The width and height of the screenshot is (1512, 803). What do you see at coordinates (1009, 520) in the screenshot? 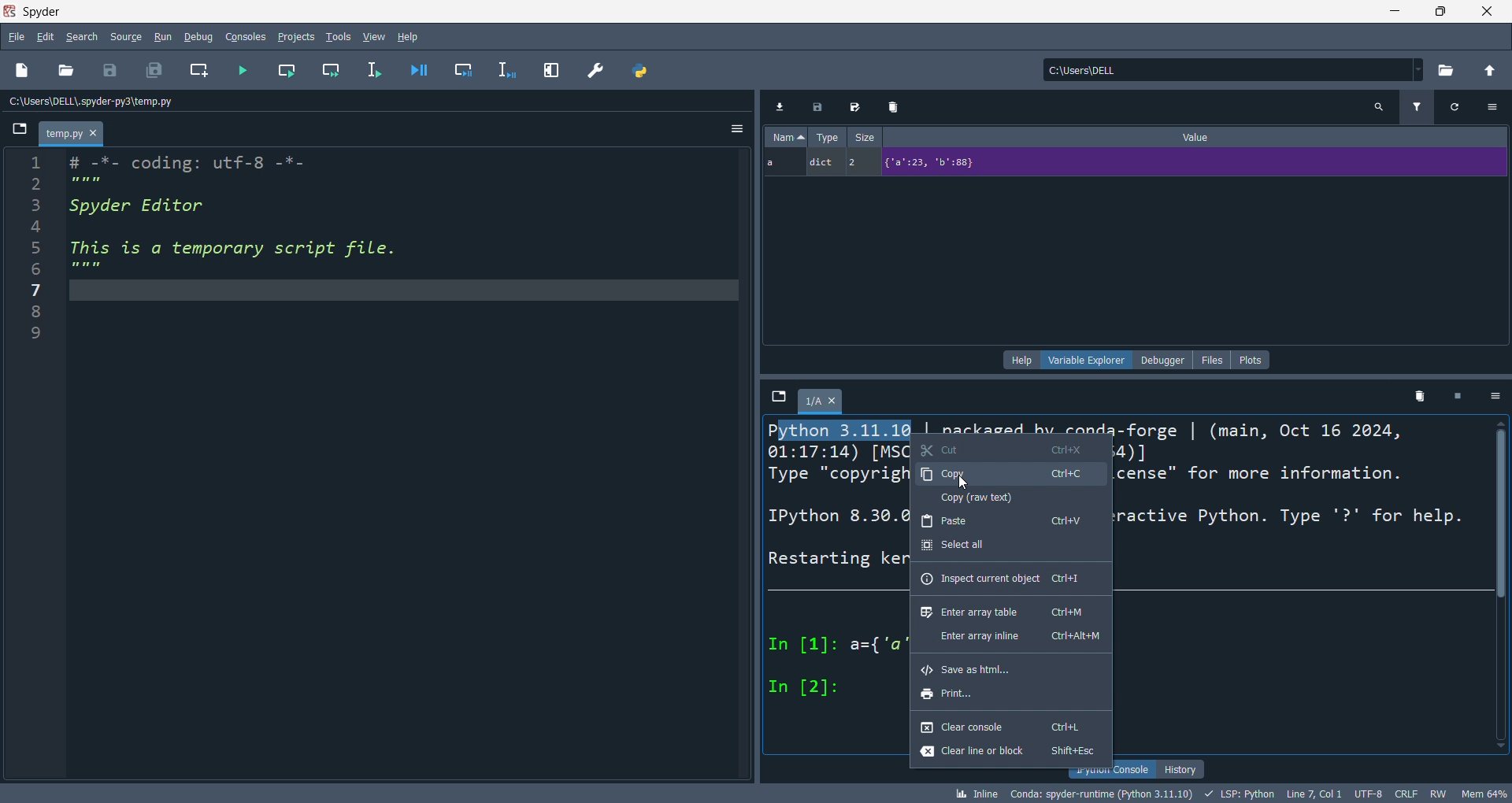
I see `paste` at bounding box center [1009, 520].